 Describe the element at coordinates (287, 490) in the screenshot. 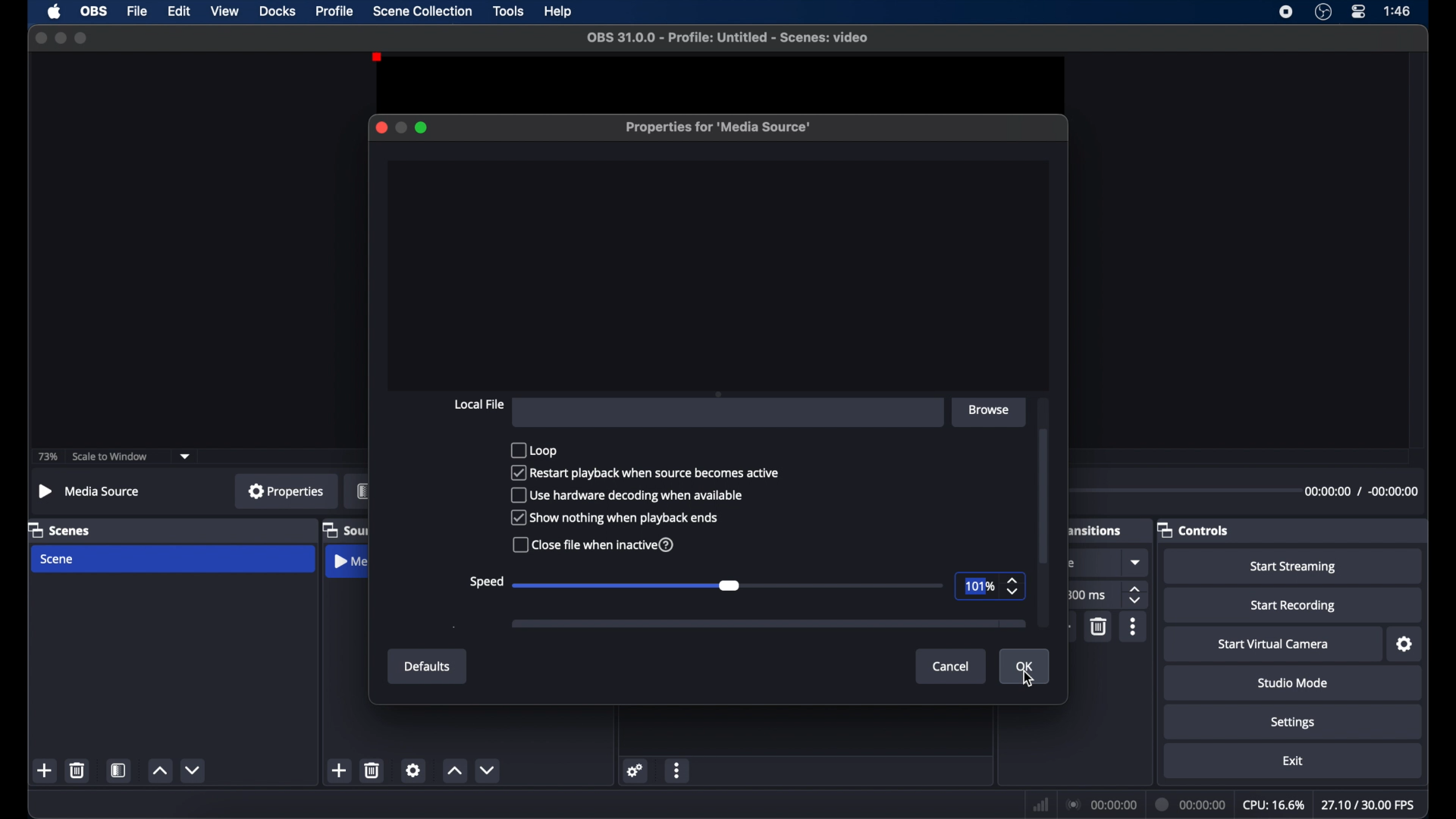

I see `properties` at that location.